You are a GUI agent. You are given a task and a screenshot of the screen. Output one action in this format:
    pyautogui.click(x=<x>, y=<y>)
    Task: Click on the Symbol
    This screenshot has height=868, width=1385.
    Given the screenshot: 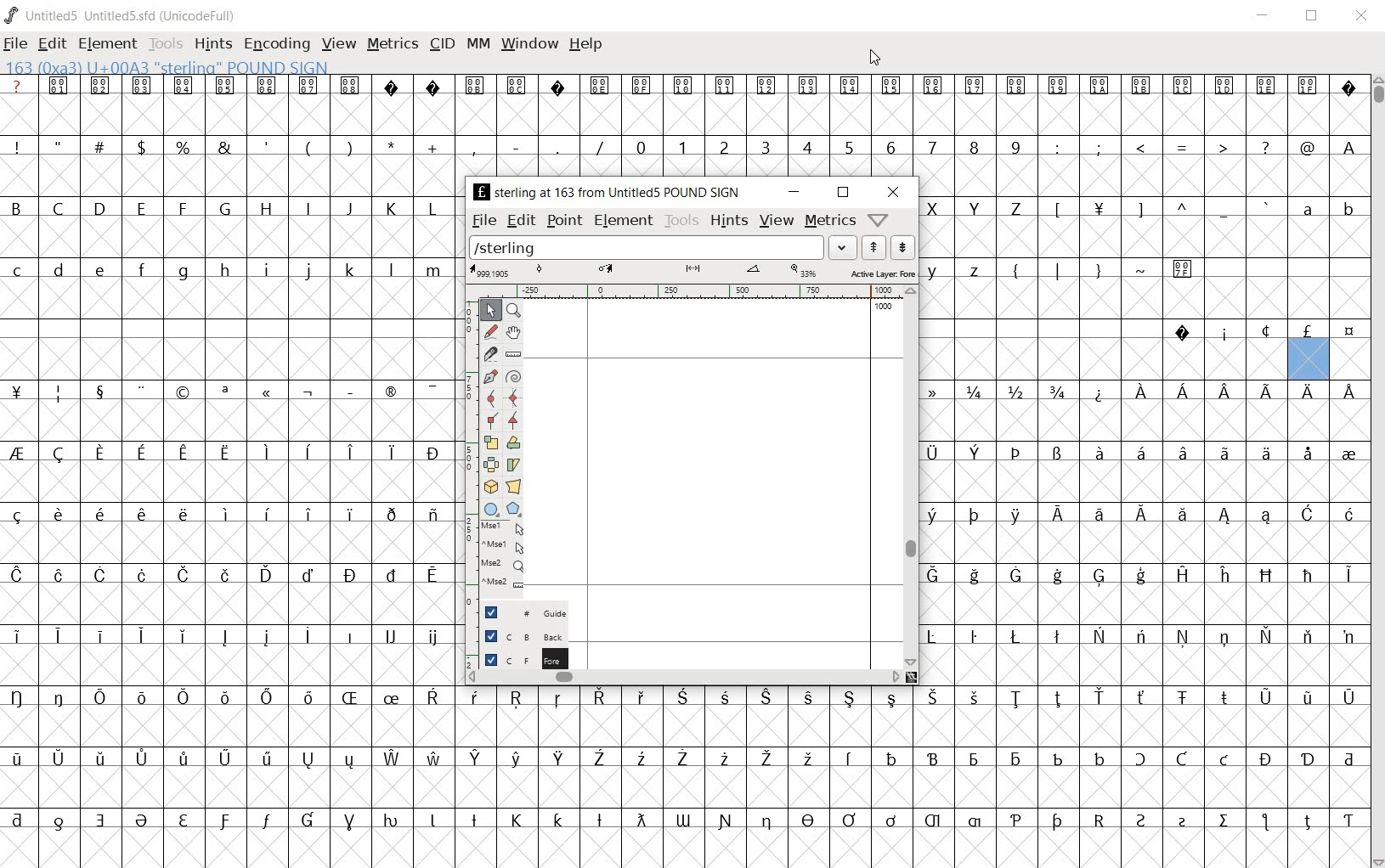 What is the action you would take?
    pyautogui.click(x=432, y=821)
    